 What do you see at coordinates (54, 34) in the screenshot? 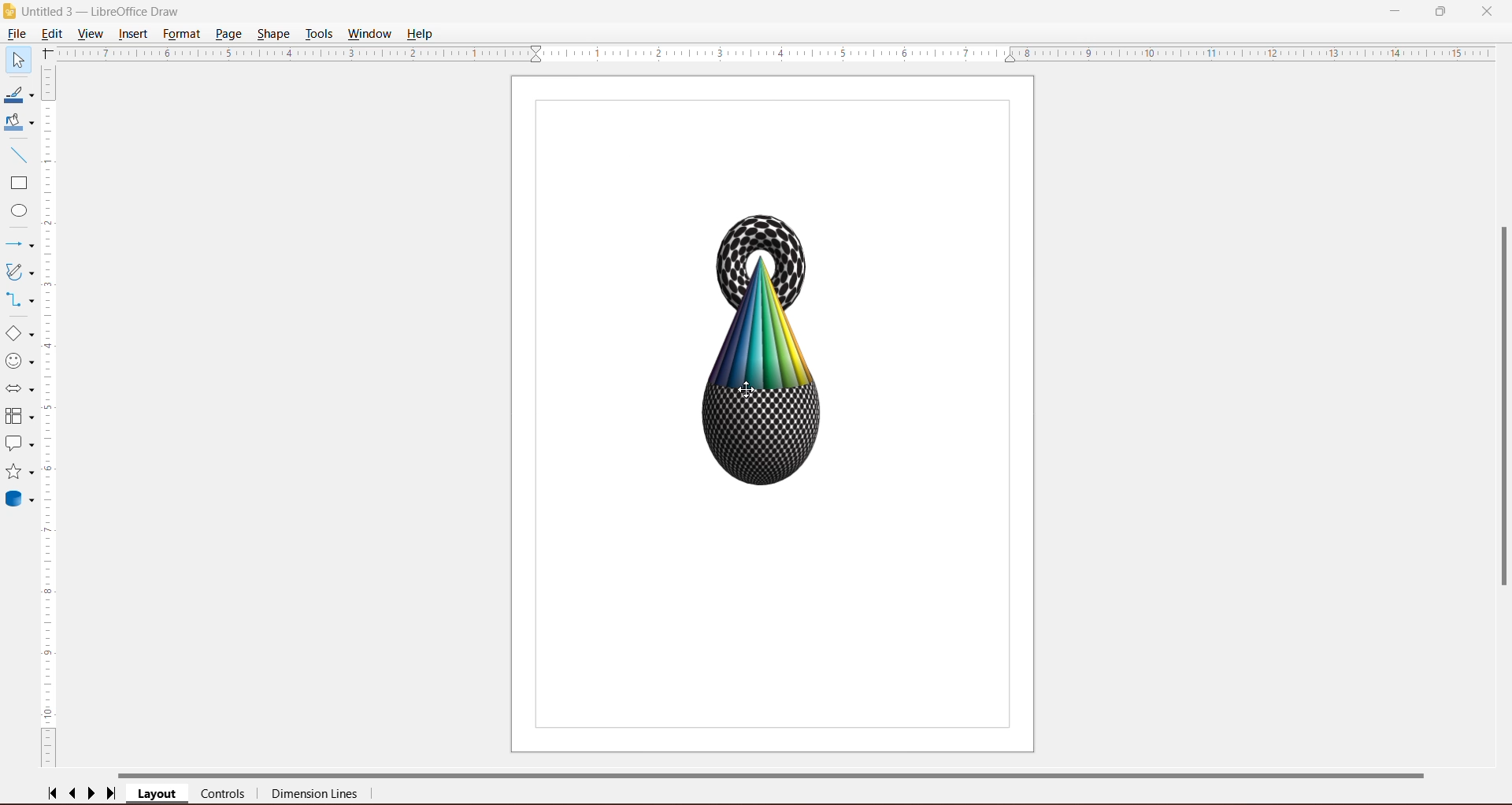
I see `Edit` at bounding box center [54, 34].